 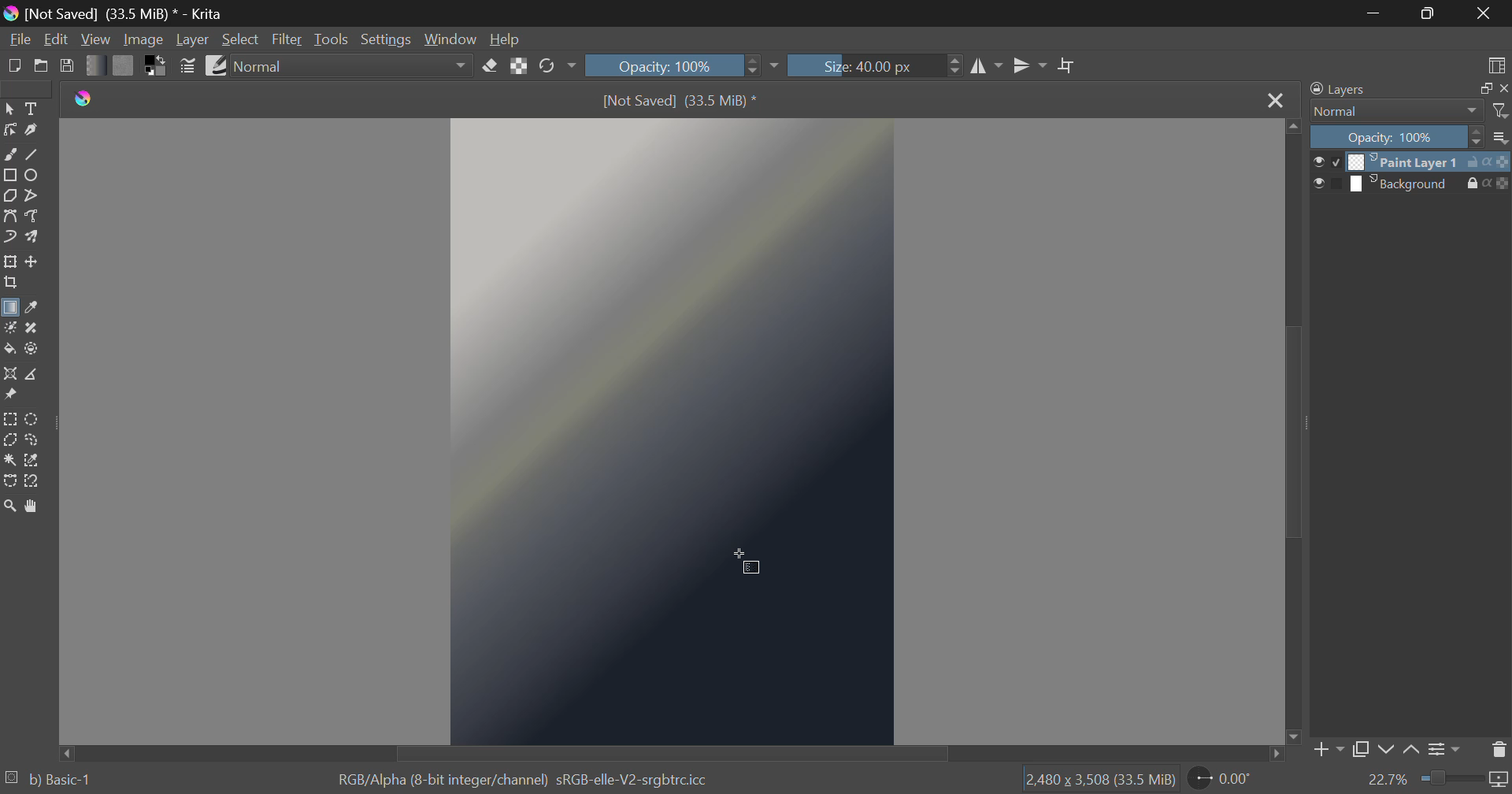 I want to click on Gradient Fill, so click(x=9, y=310).